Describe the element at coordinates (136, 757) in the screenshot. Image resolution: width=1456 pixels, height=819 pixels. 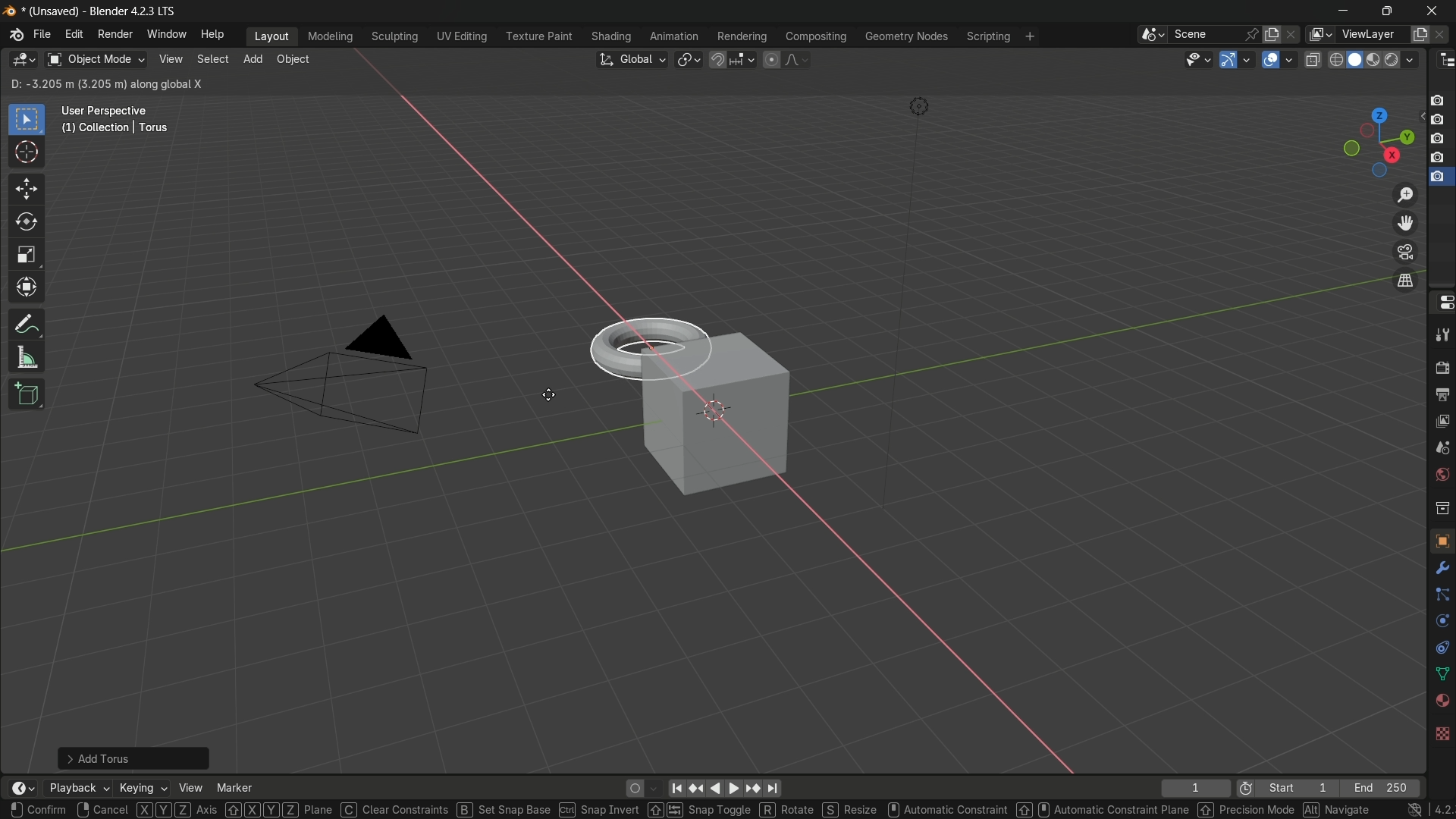
I see `Add Torus` at that location.